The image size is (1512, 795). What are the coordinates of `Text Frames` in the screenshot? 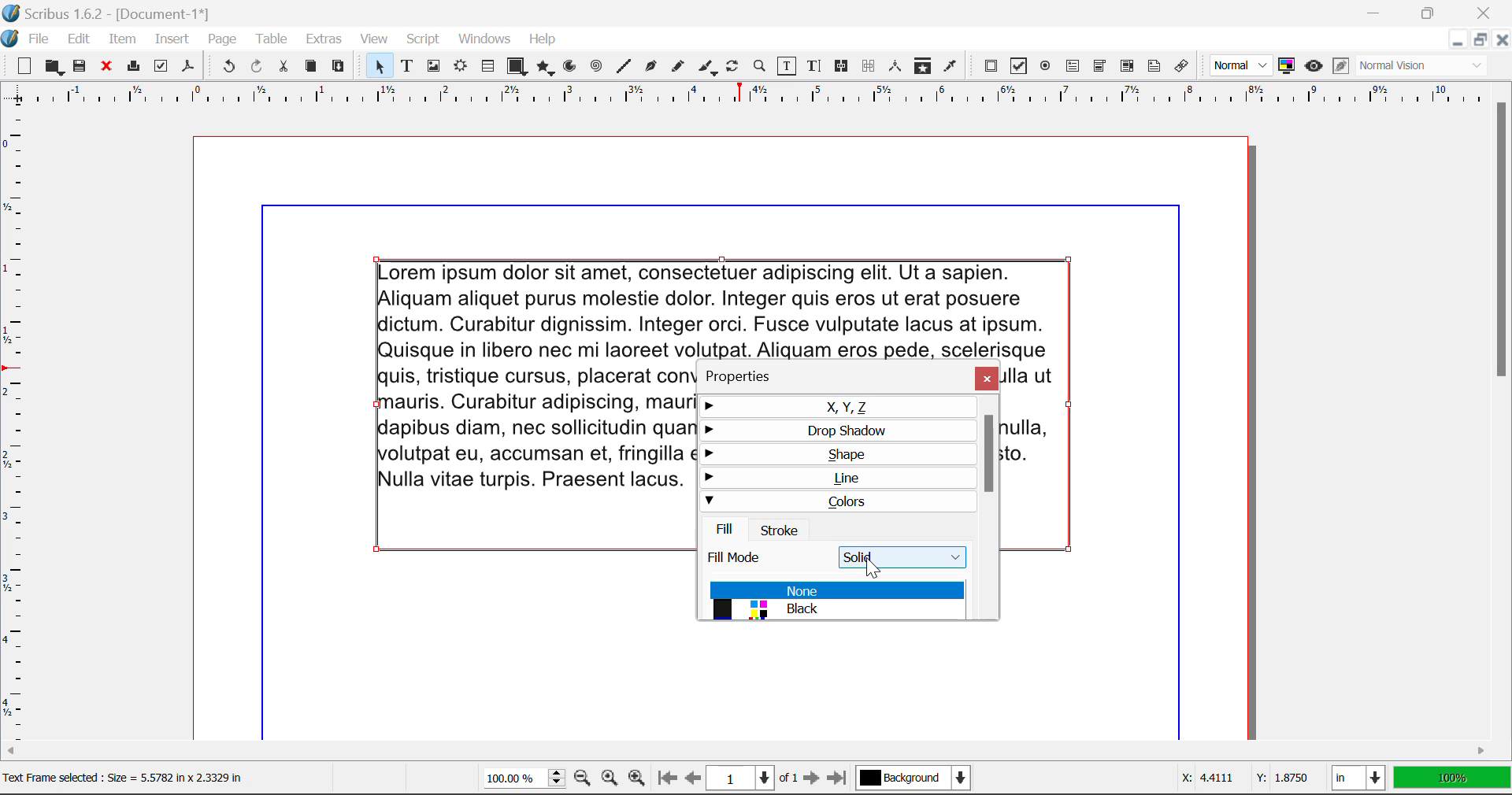 It's located at (407, 68).